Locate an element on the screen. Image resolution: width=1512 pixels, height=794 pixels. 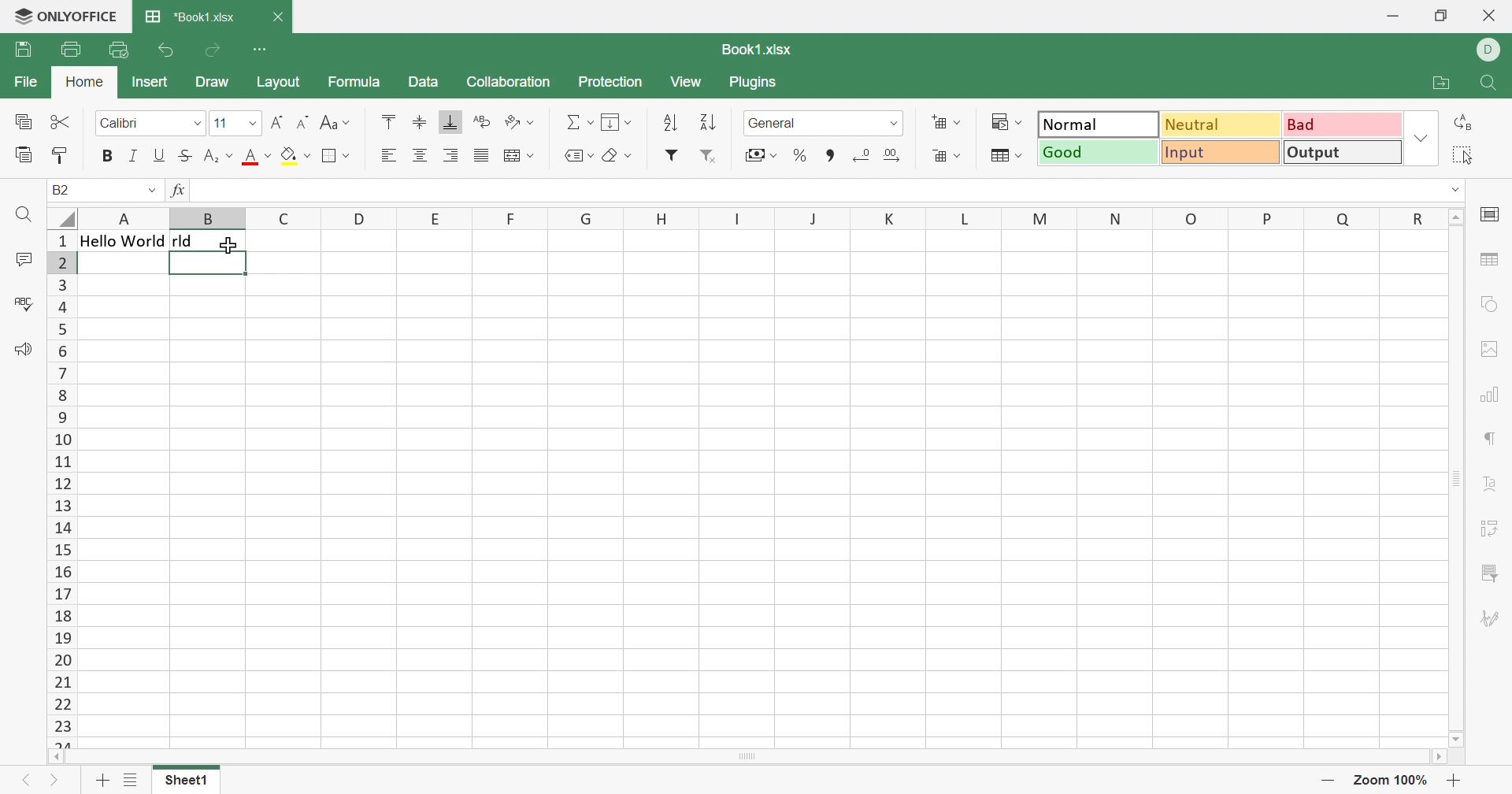
slicer settings is located at coordinates (1489, 574).